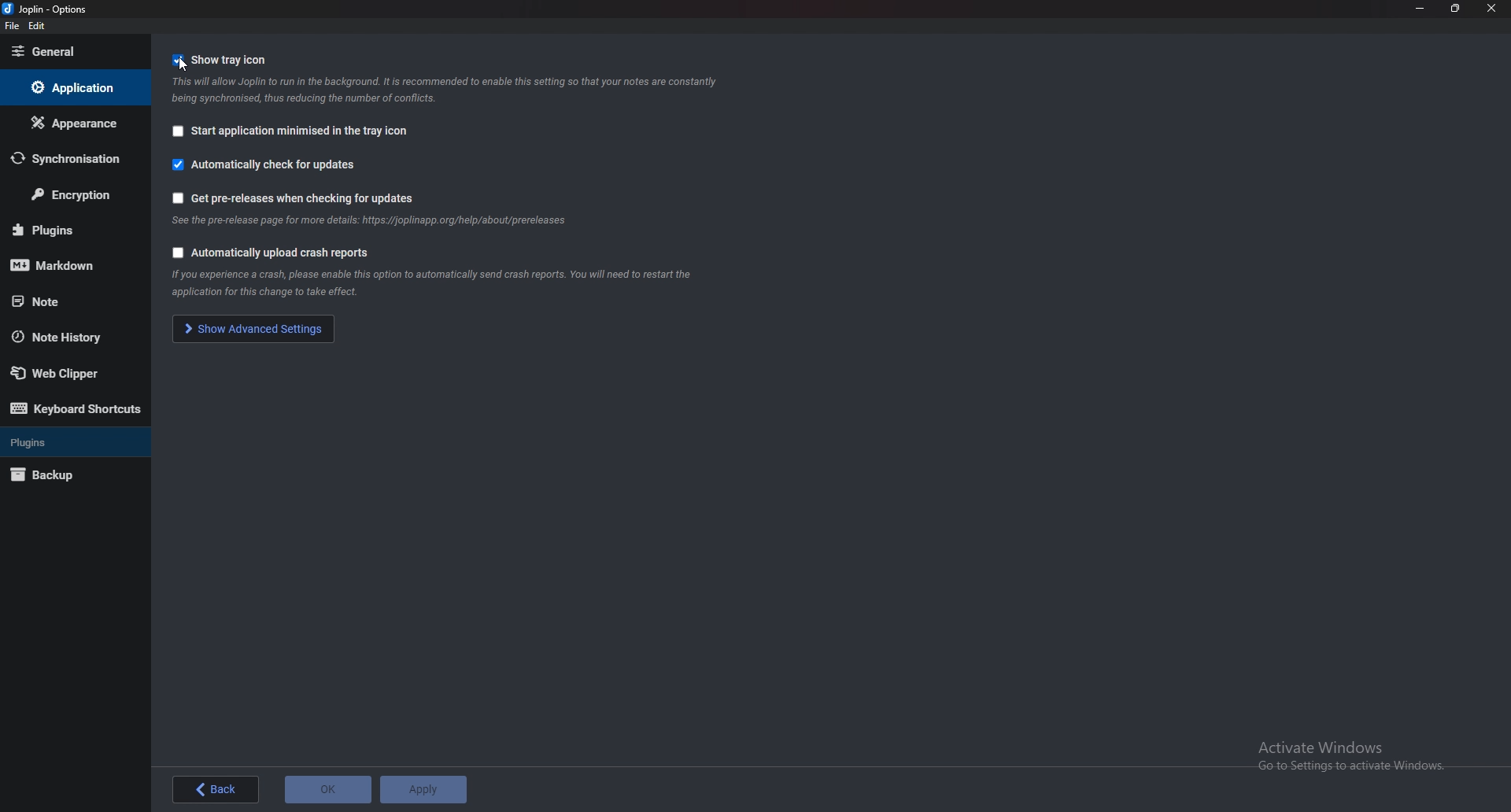 The image size is (1511, 812). Describe the element at coordinates (449, 90) in the screenshot. I see `Info` at that location.